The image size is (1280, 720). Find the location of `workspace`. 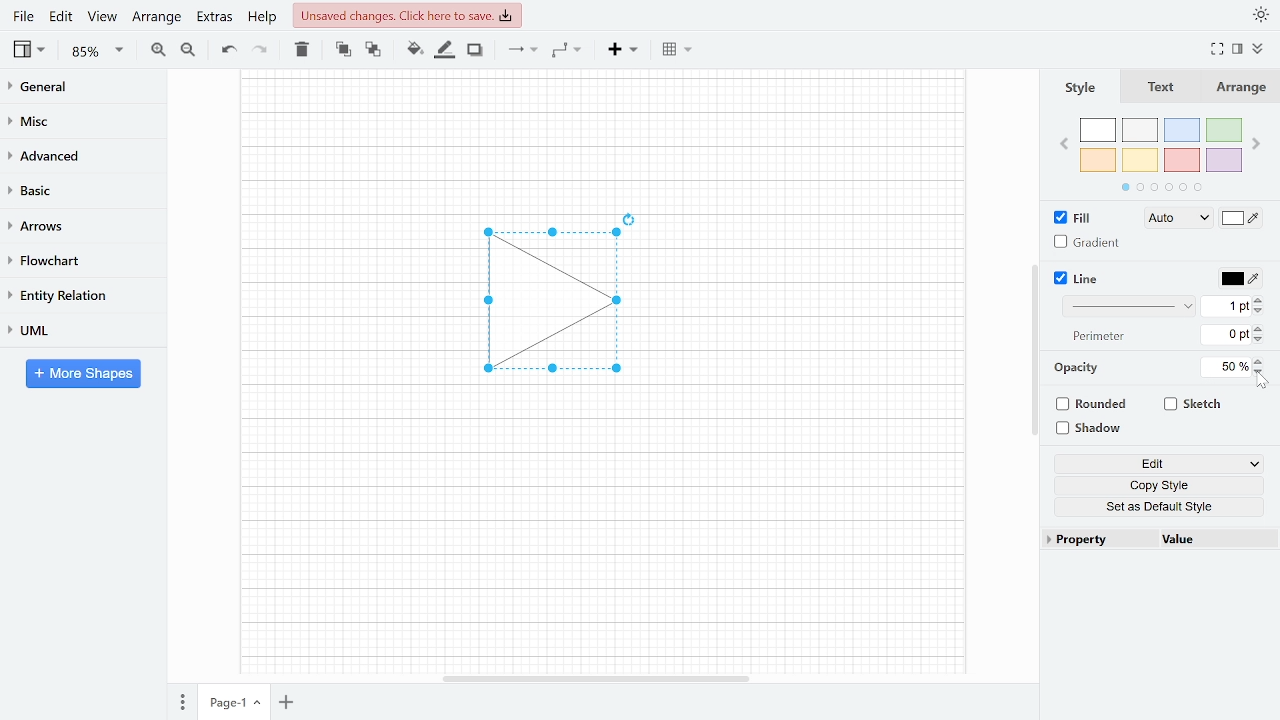

workspace is located at coordinates (343, 302).